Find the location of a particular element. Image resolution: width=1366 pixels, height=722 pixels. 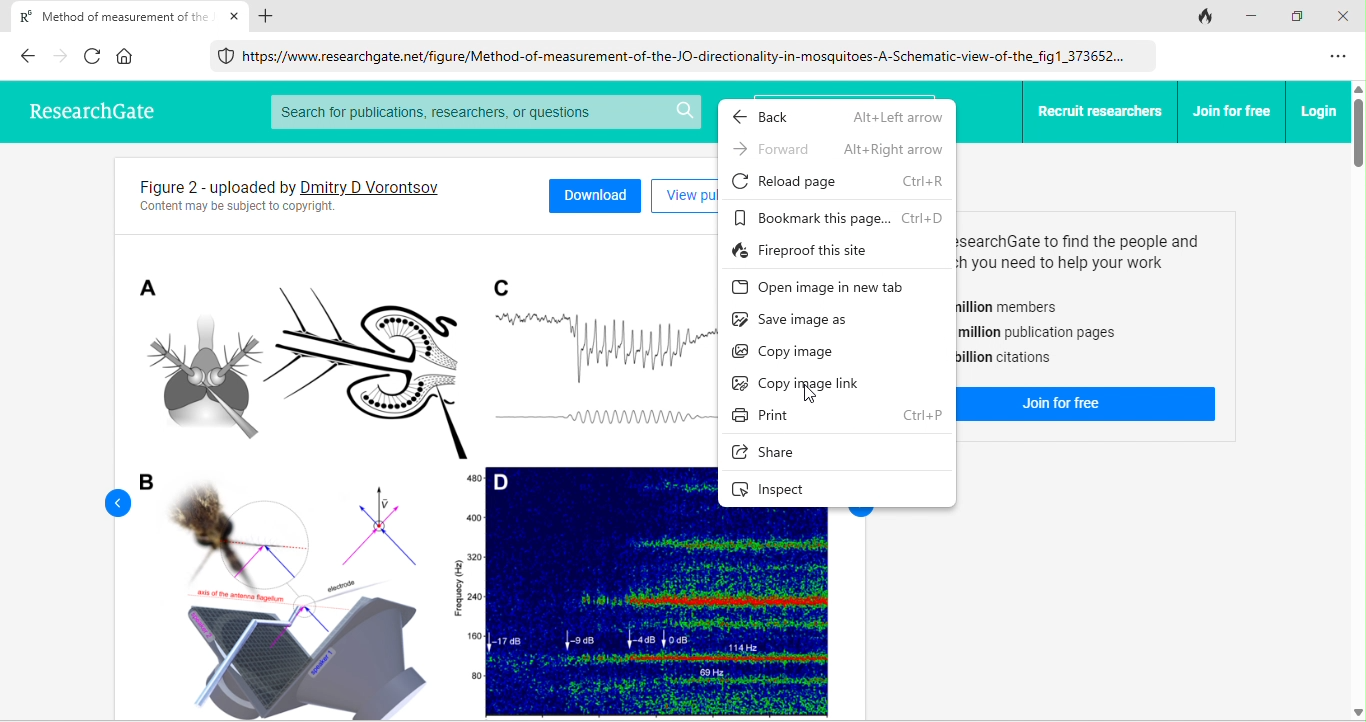

download is located at coordinates (595, 193).